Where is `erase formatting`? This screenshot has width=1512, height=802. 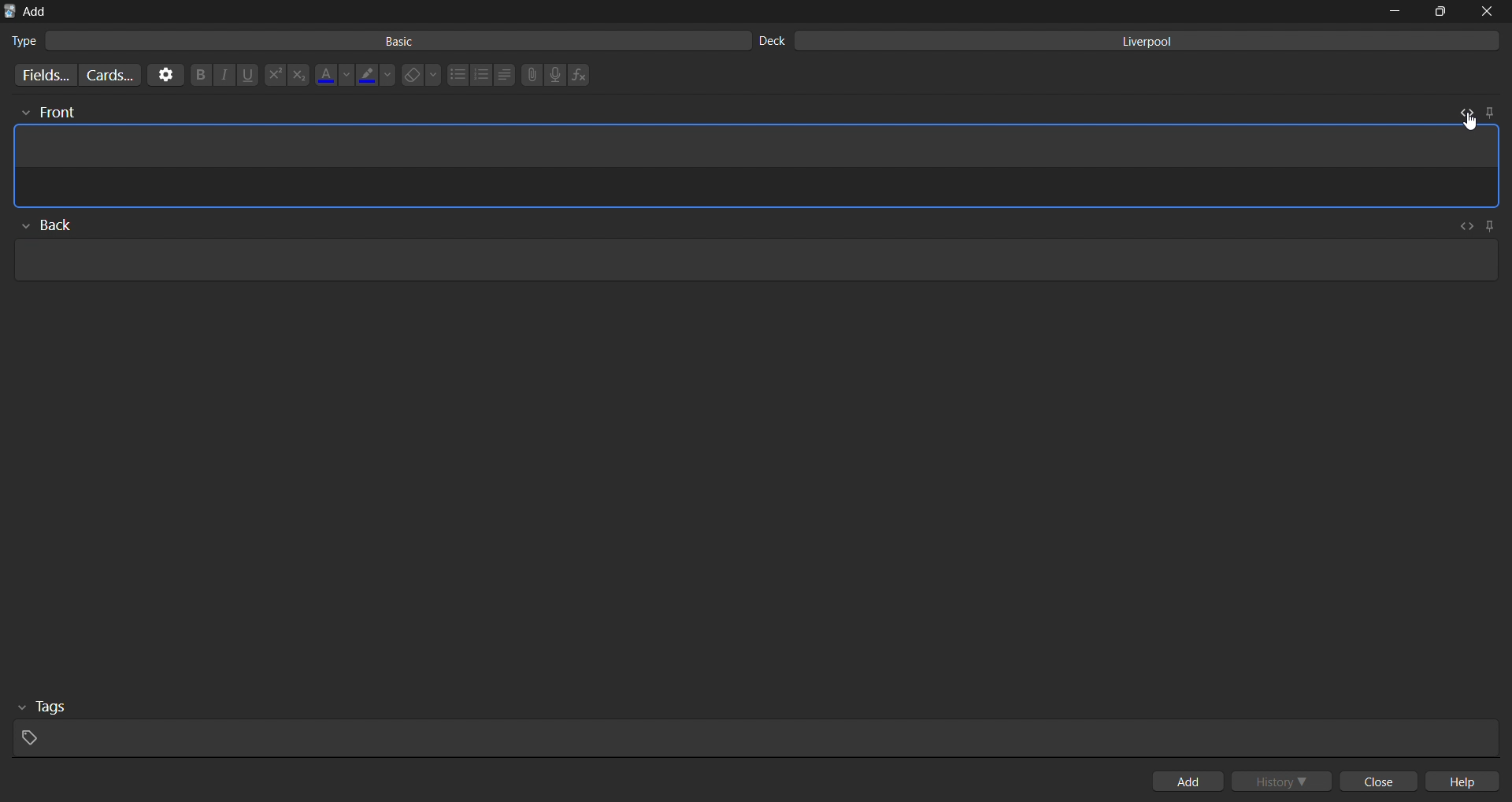 erase formatting is located at coordinates (424, 75).